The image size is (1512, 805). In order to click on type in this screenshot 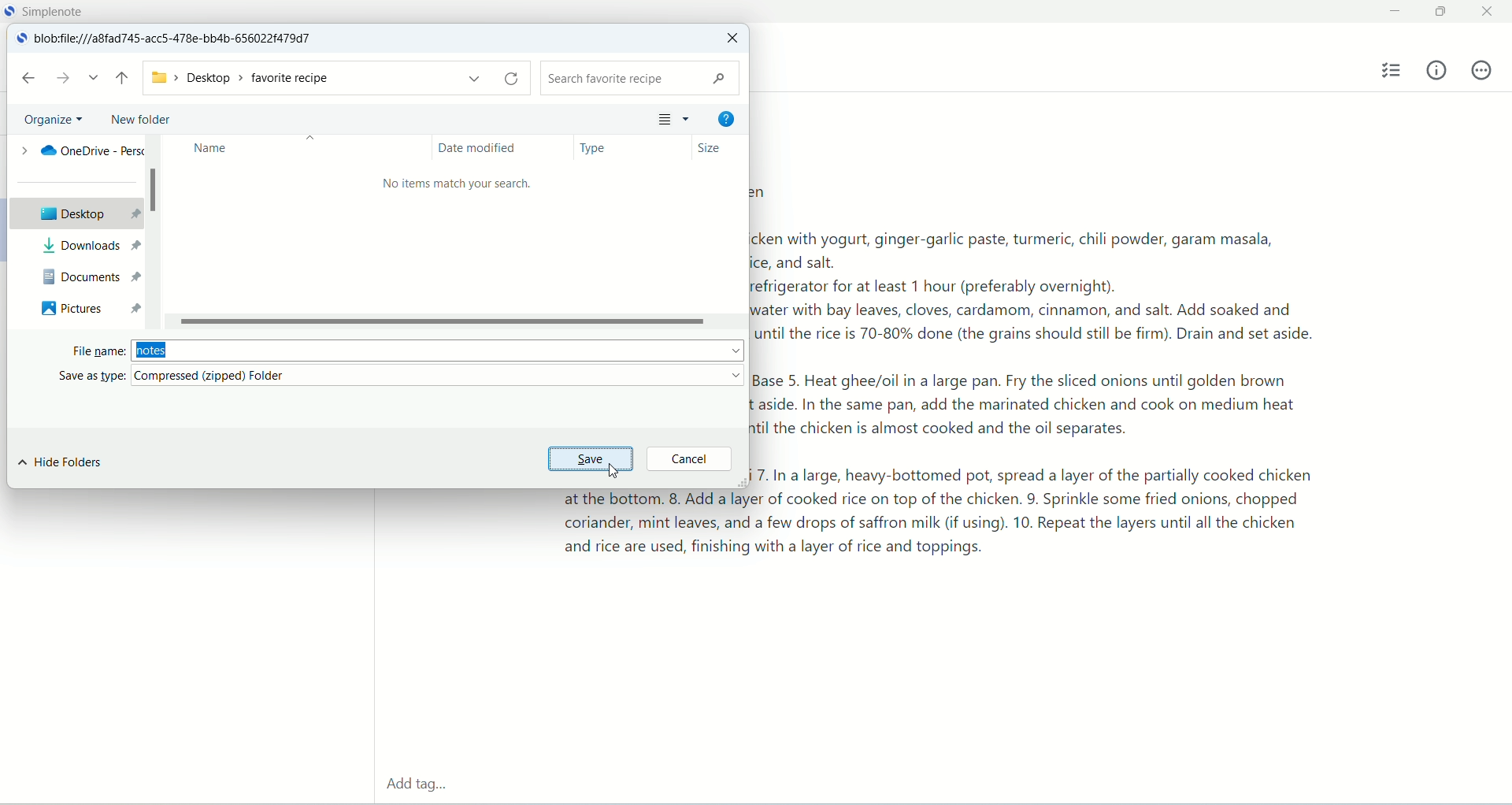, I will do `click(622, 148)`.